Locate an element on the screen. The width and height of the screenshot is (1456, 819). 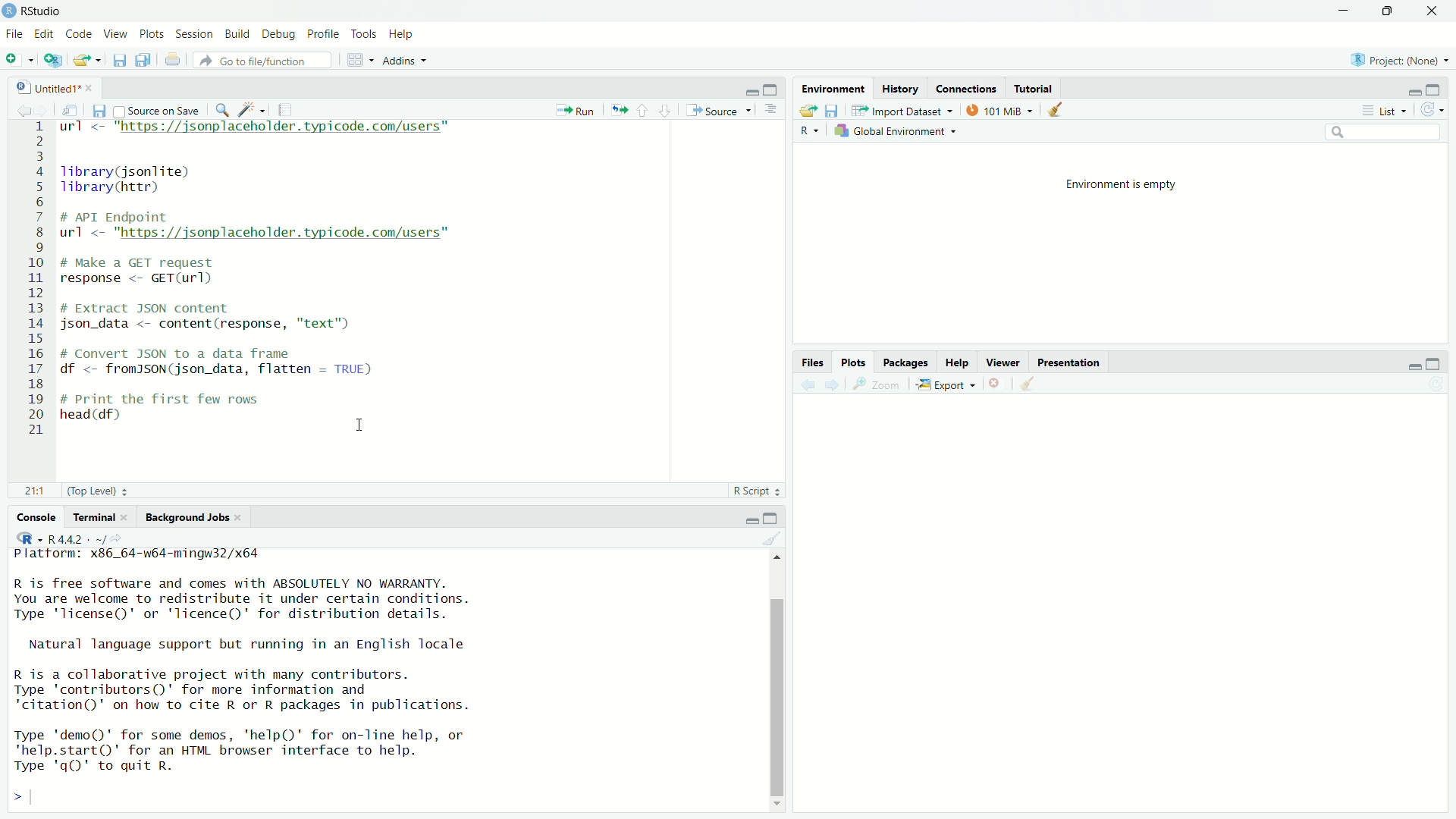
Connections is located at coordinates (965, 89).